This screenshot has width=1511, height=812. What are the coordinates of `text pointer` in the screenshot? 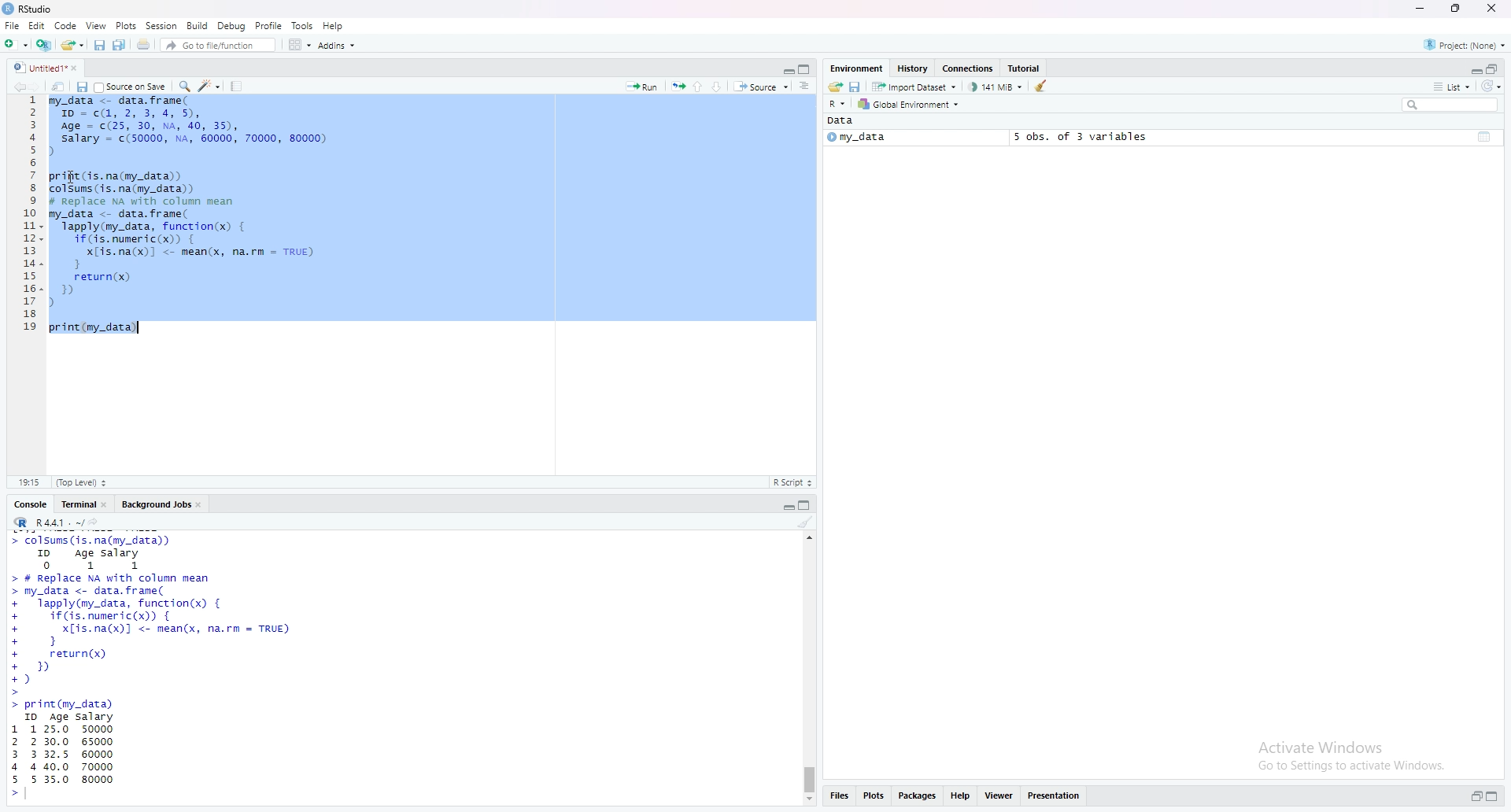 It's located at (142, 327).